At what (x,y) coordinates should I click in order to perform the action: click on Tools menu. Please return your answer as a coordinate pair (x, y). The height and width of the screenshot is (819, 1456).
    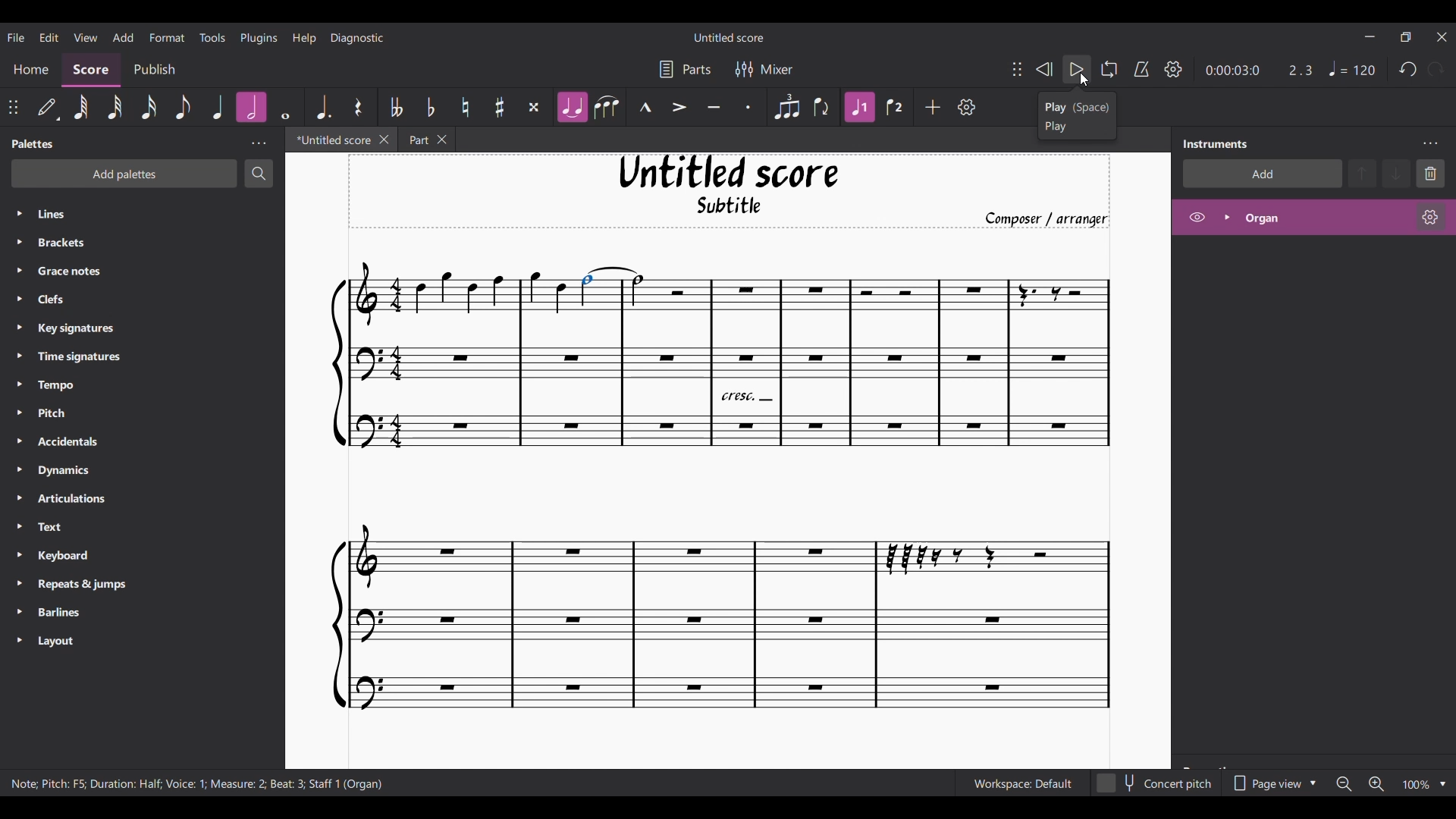
    Looking at the image, I should click on (212, 36).